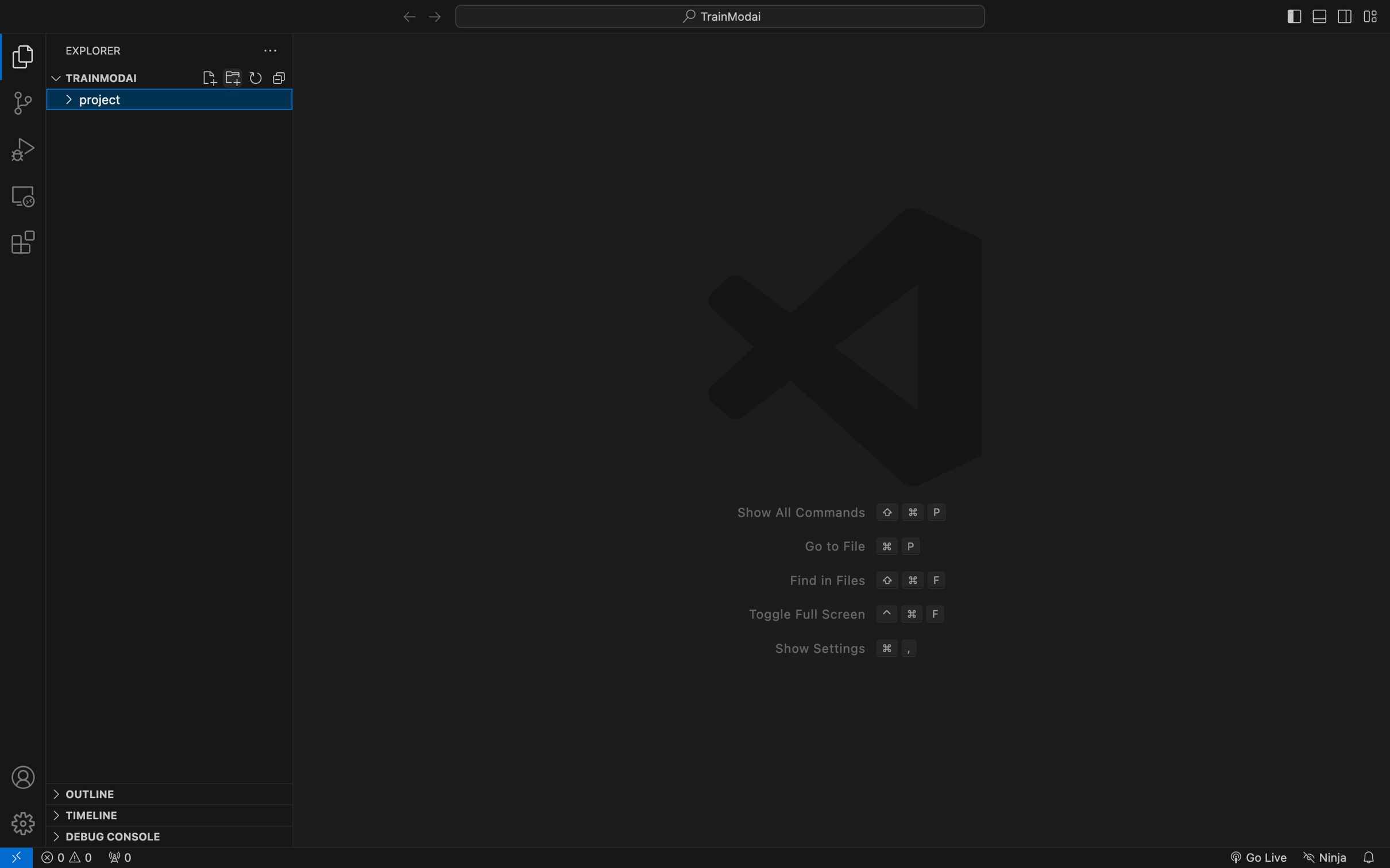 The height and width of the screenshot is (868, 1390). What do you see at coordinates (839, 510) in the screenshot?
I see `Show all commands` at bounding box center [839, 510].